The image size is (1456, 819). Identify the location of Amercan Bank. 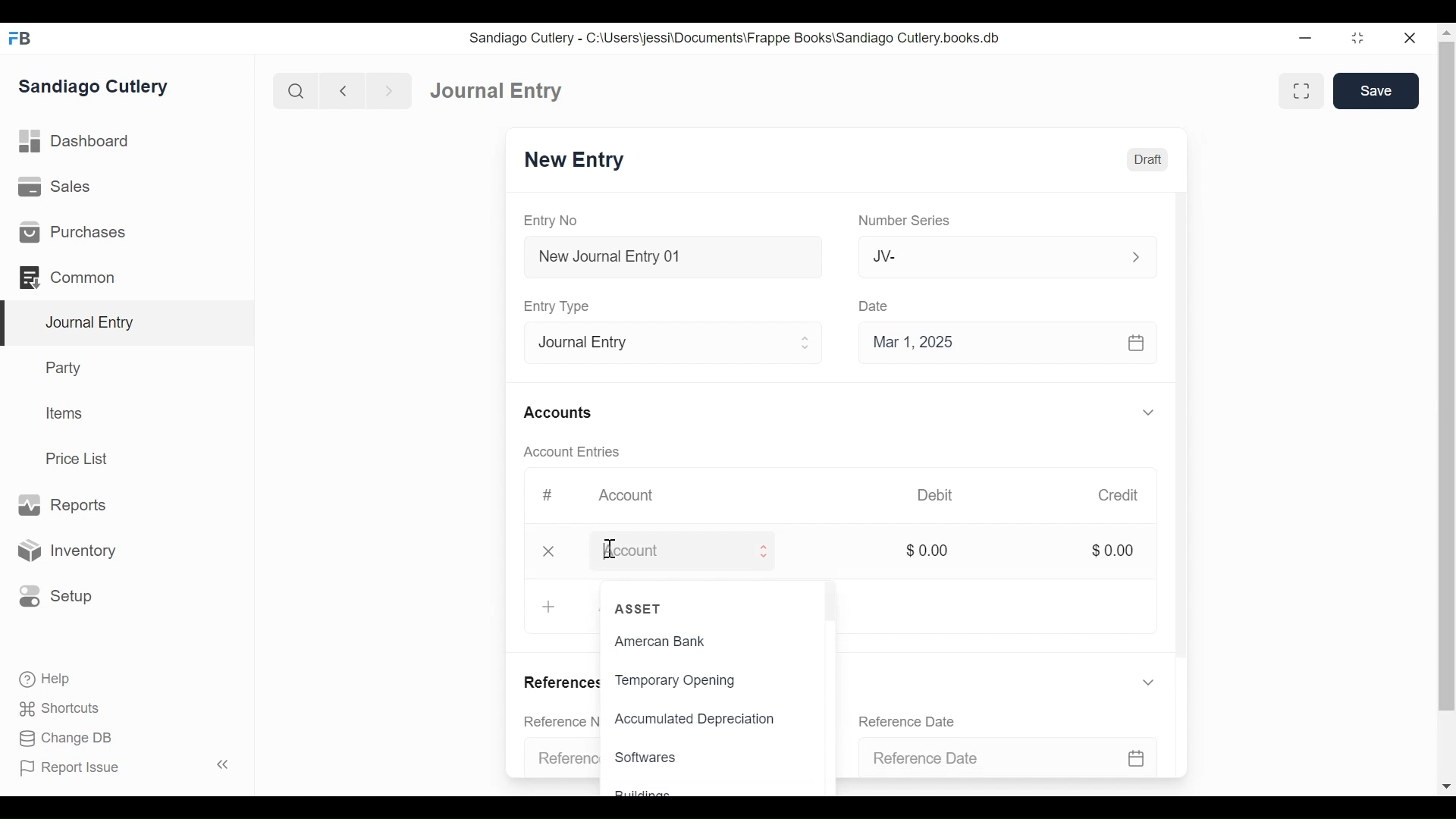
(660, 641).